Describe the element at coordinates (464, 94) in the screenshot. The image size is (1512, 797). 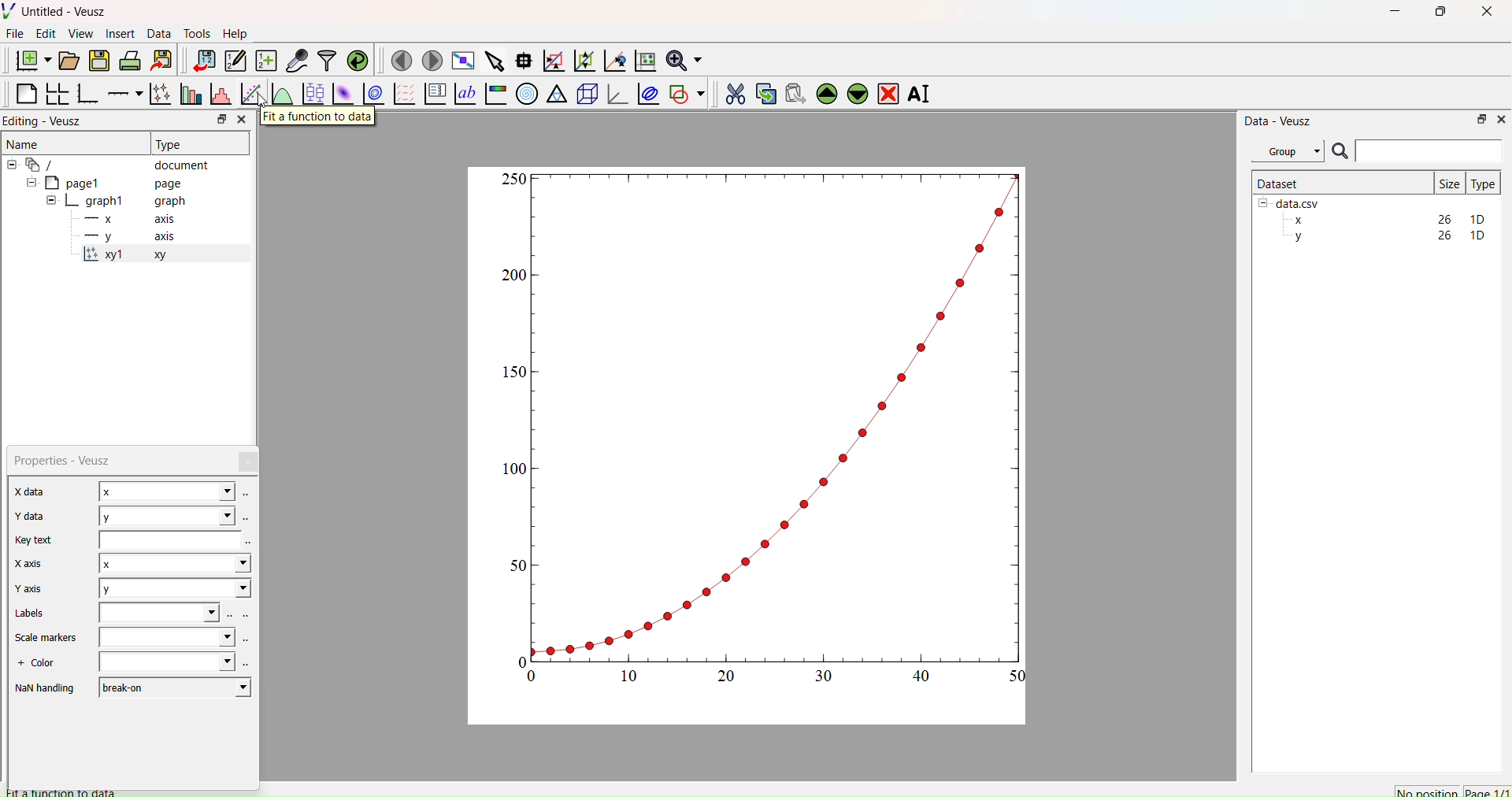
I see `Text label` at that location.